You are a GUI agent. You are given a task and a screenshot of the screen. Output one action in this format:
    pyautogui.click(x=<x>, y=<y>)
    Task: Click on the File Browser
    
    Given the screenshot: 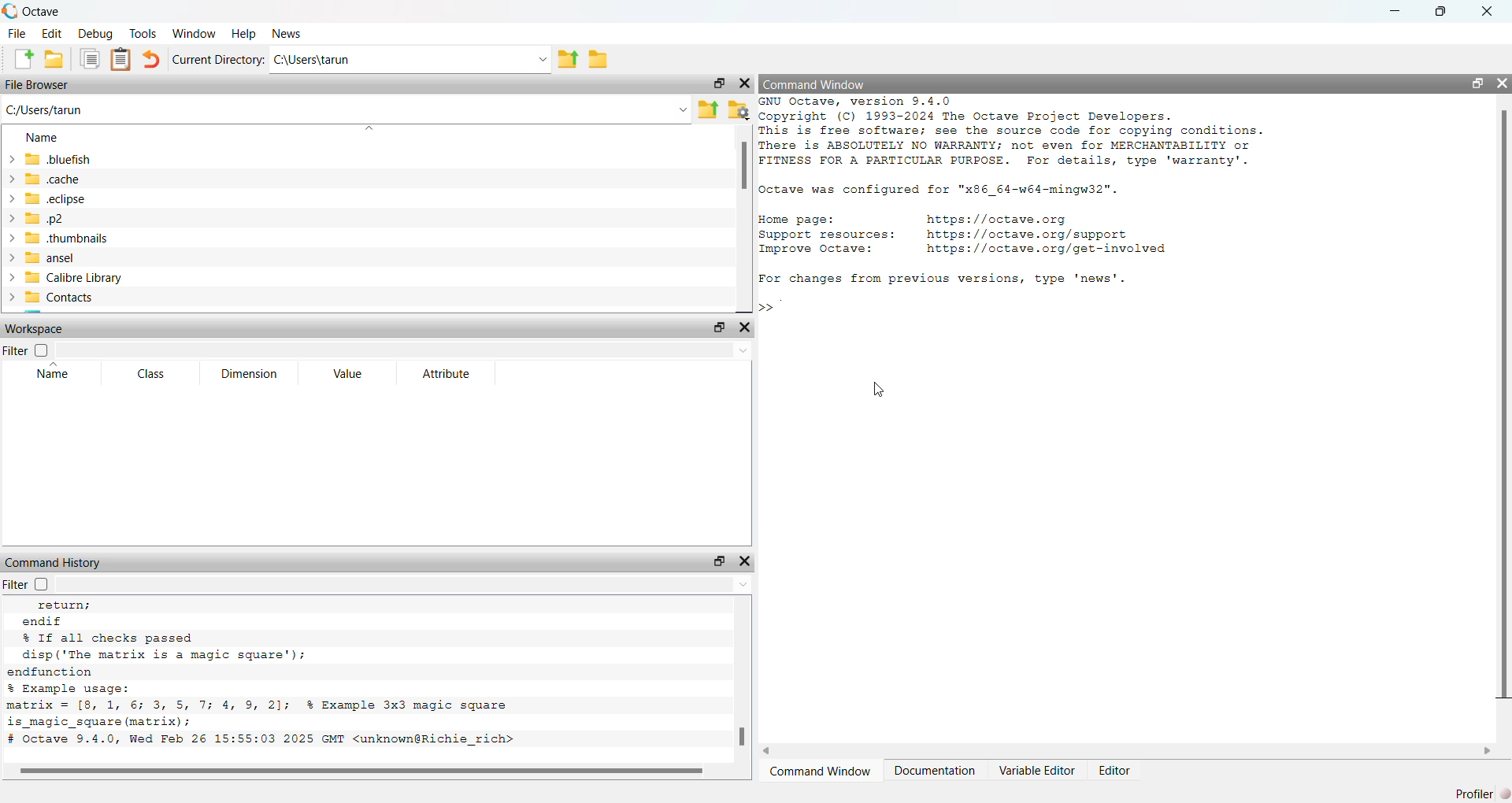 What is the action you would take?
    pyautogui.click(x=39, y=84)
    